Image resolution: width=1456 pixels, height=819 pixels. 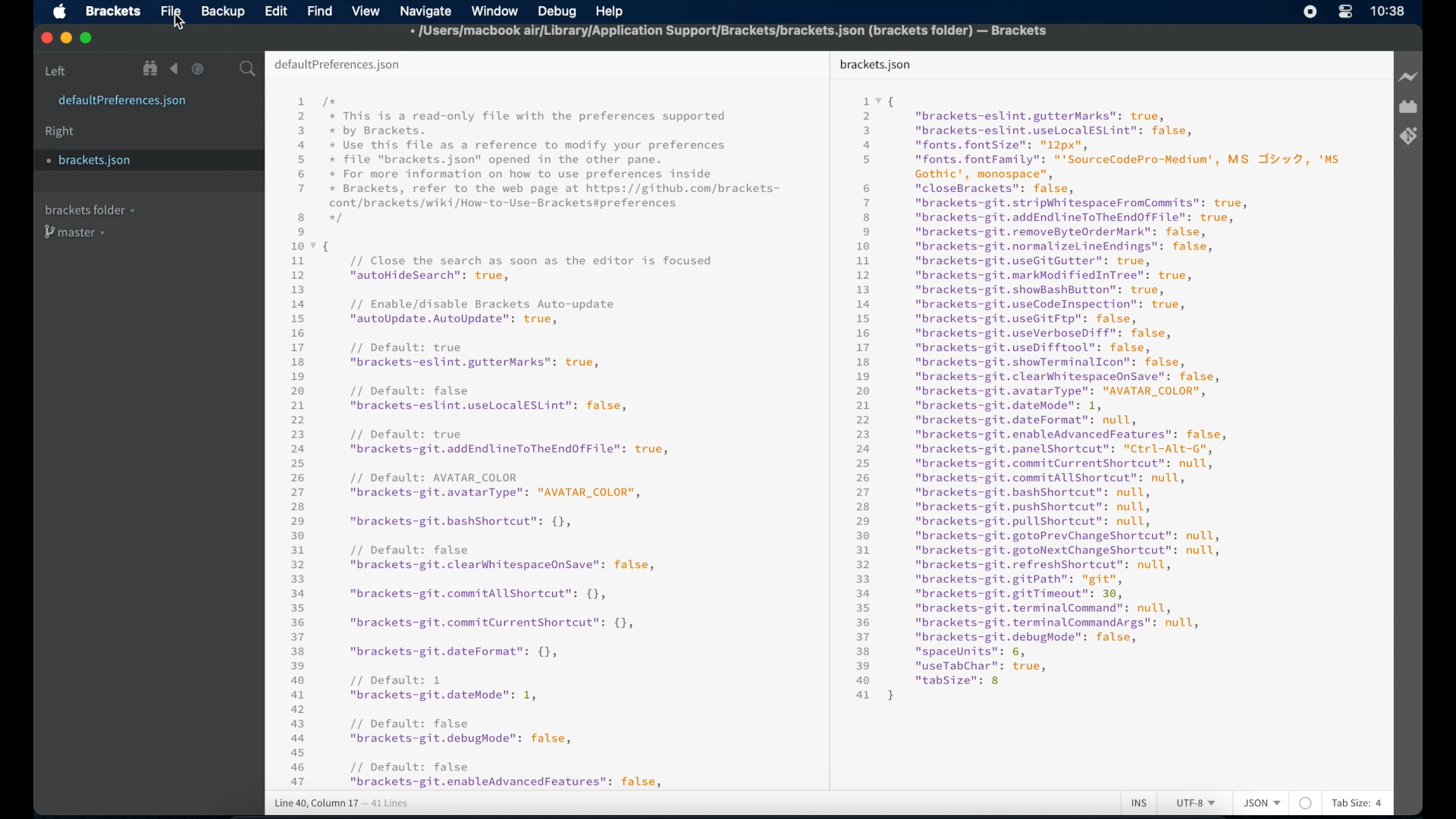 I want to click on json, so click(x=1263, y=802).